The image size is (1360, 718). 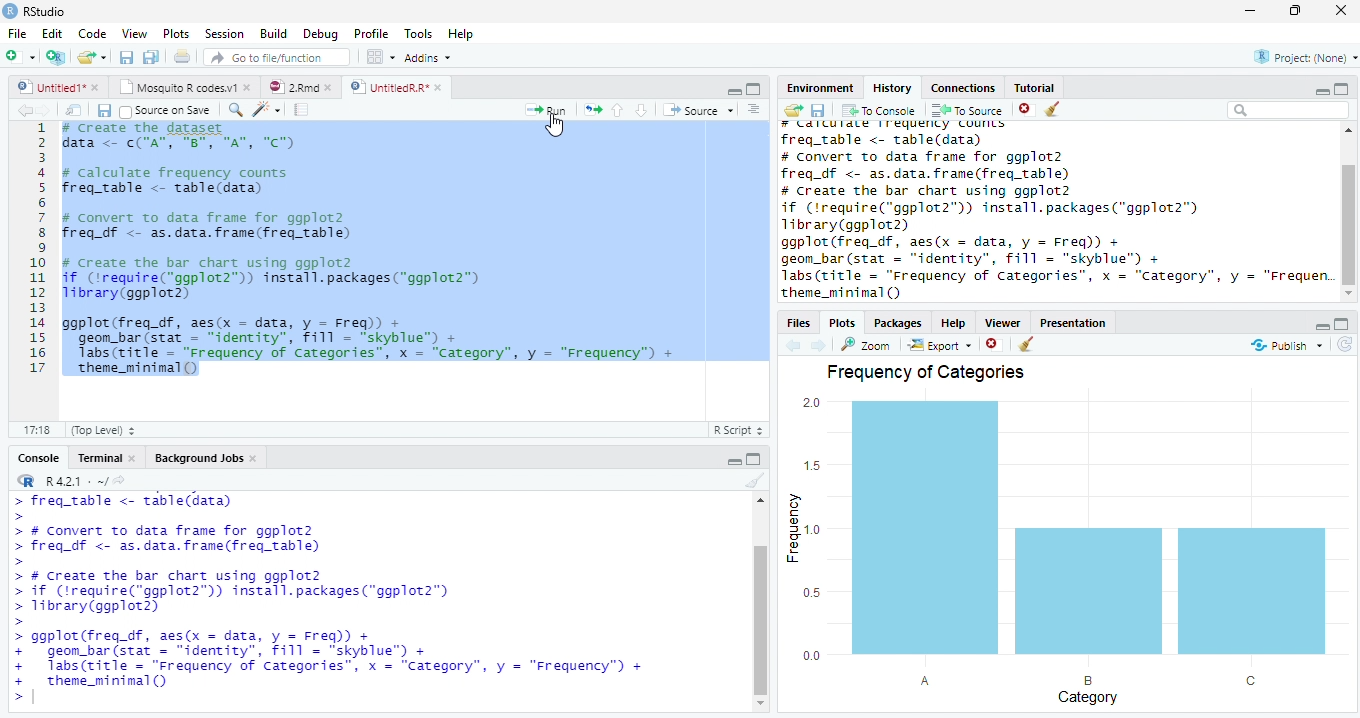 I want to click on History, so click(x=896, y=88).